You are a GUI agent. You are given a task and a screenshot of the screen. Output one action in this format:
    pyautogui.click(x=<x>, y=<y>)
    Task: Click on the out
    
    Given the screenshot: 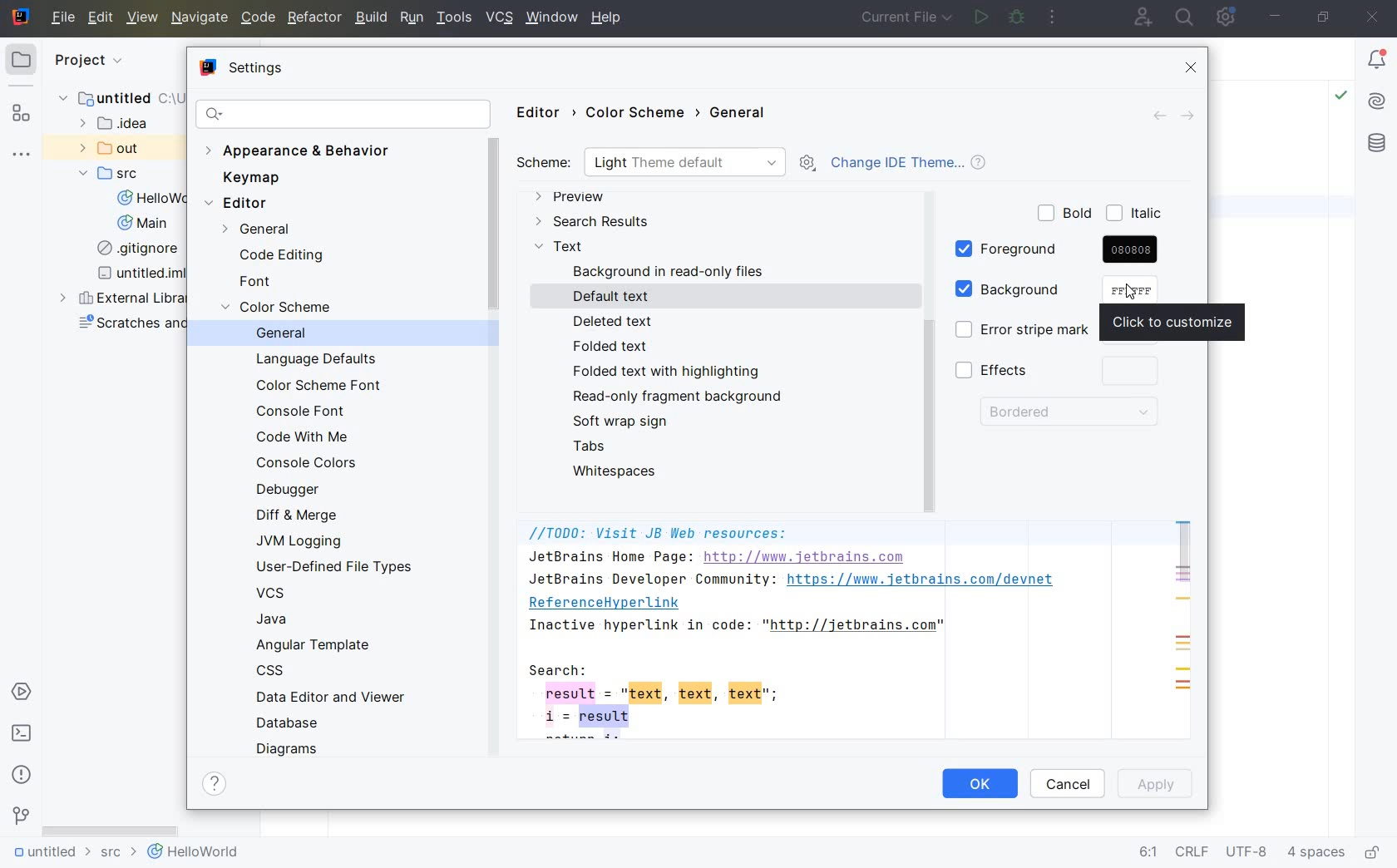 What is the action you would take?
    pyautogui.click(x=109, y=148)
    